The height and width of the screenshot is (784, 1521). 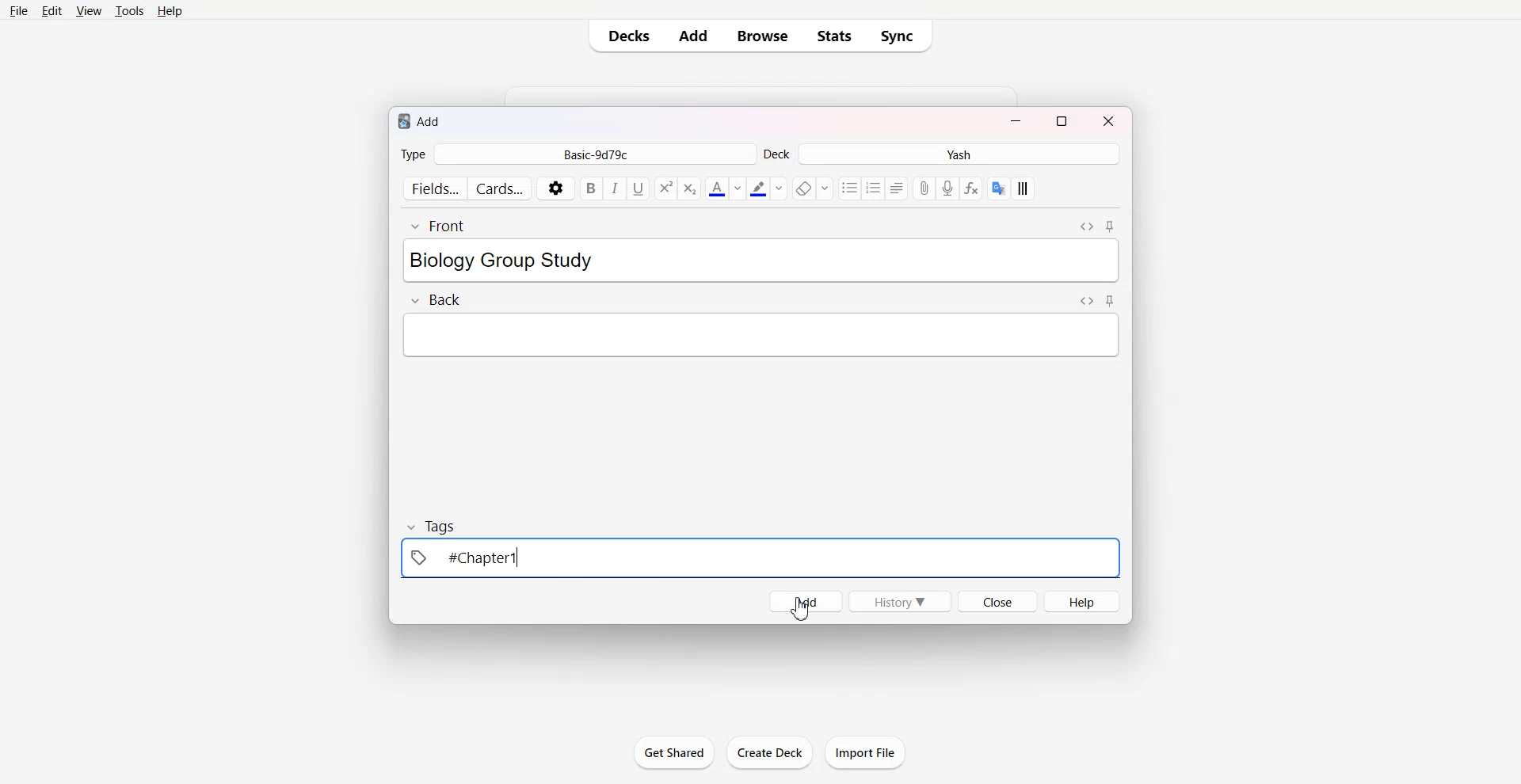 What do you see at coordinates (674, 752) in the screenshot?
I see `Get Shared` at bounding box center [674, 752].